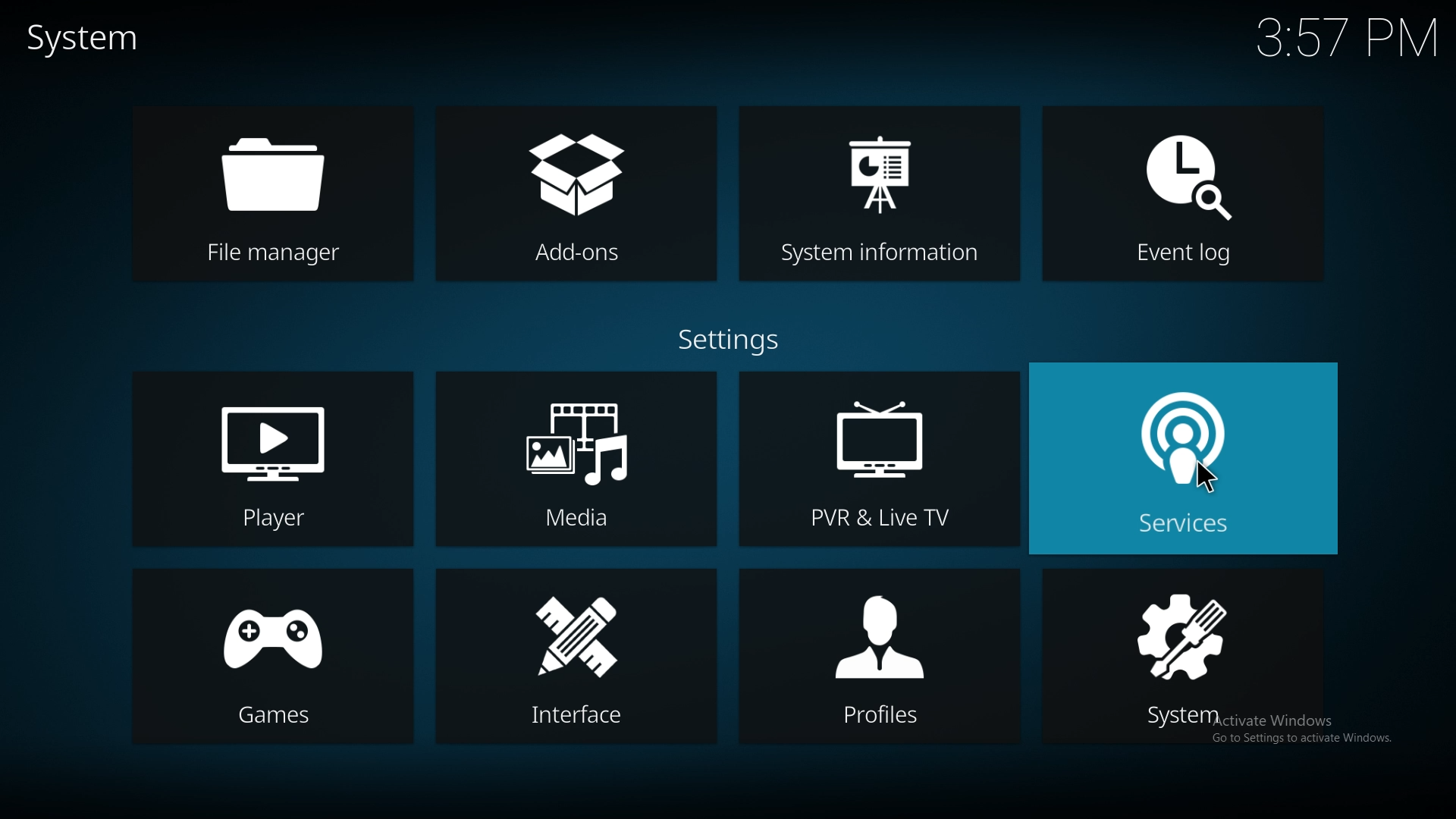  What do you see at coordinates (1178, 526) in the screenshot?
I see `services` at bounding box center [1178, 526].